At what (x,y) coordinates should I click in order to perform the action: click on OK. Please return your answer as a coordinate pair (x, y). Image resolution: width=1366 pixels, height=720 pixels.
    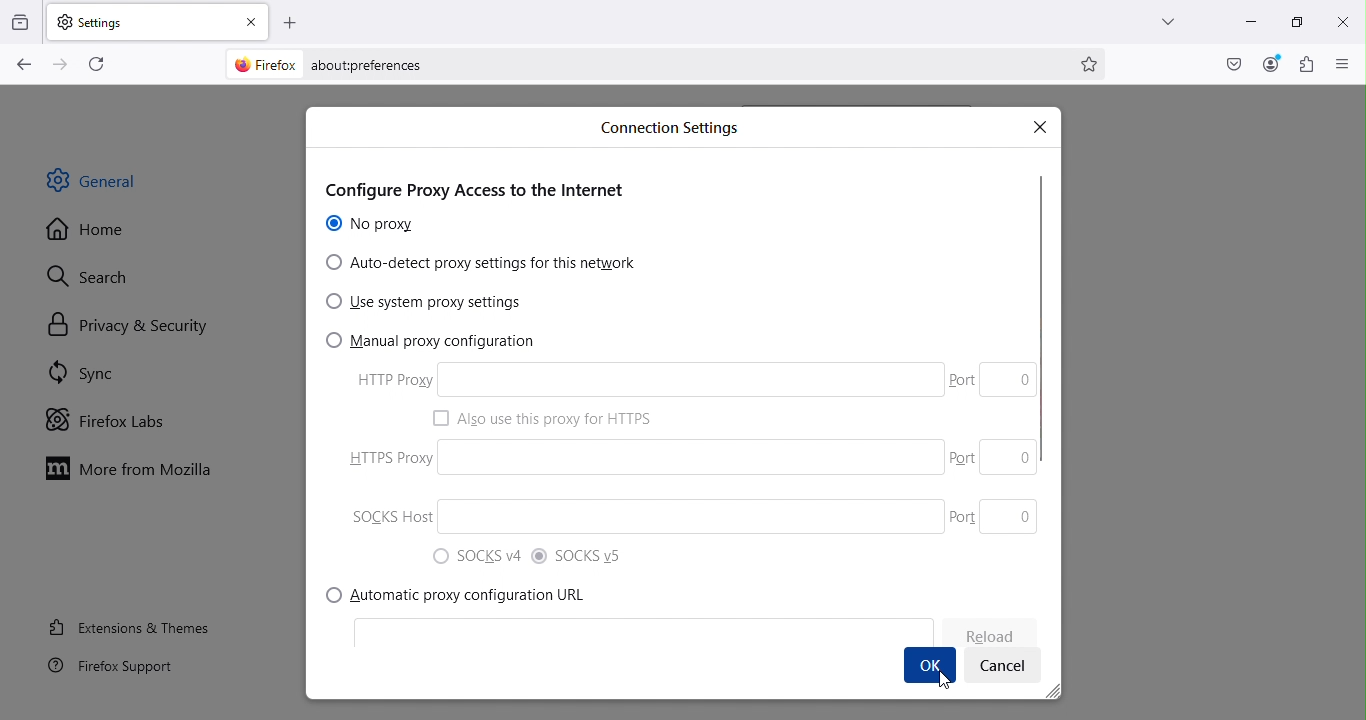
    Looking at the image, I should click on (931, 667).